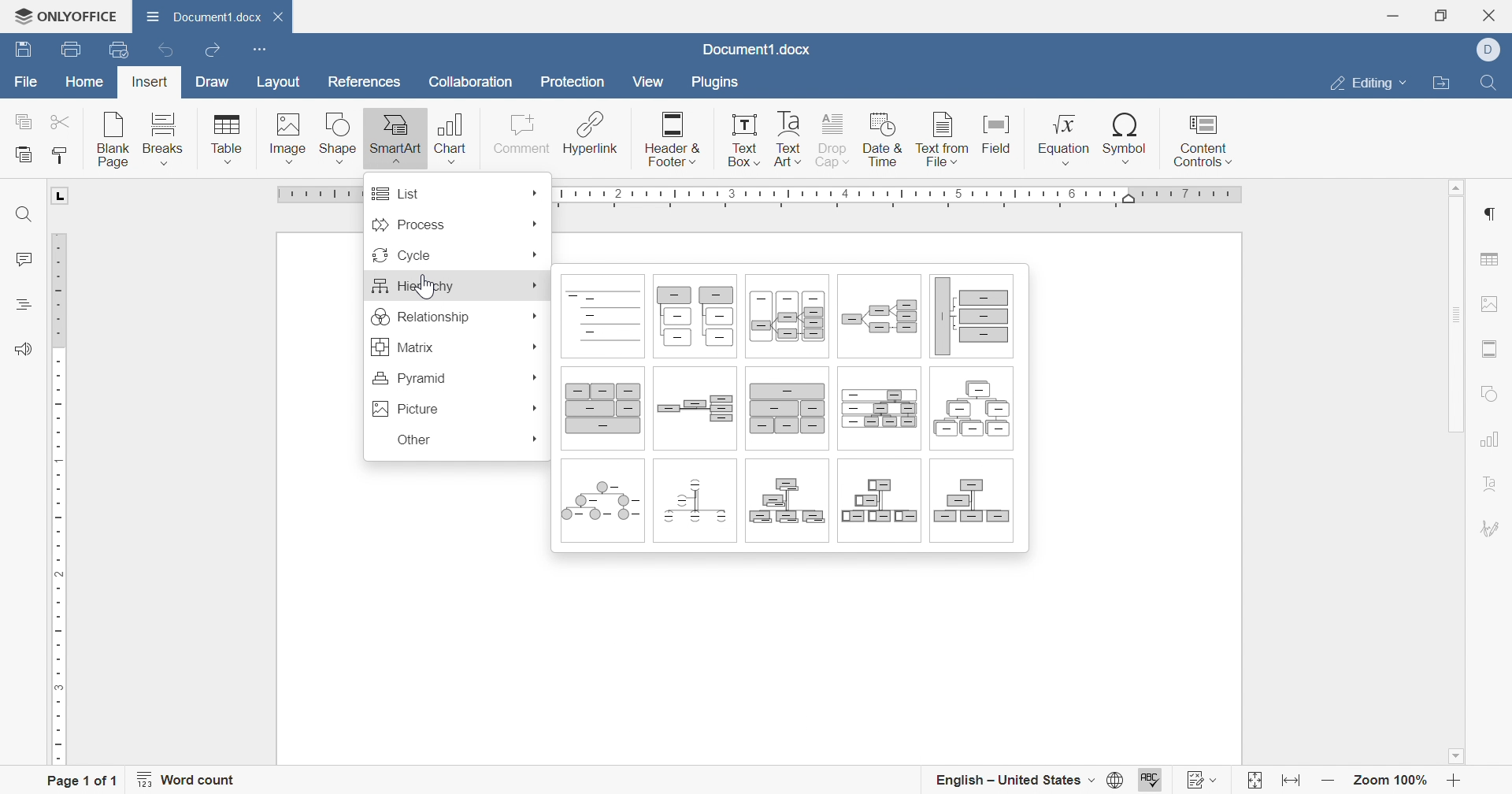 The image size is (1512, 794). I want to click on View, so click(647, 83).